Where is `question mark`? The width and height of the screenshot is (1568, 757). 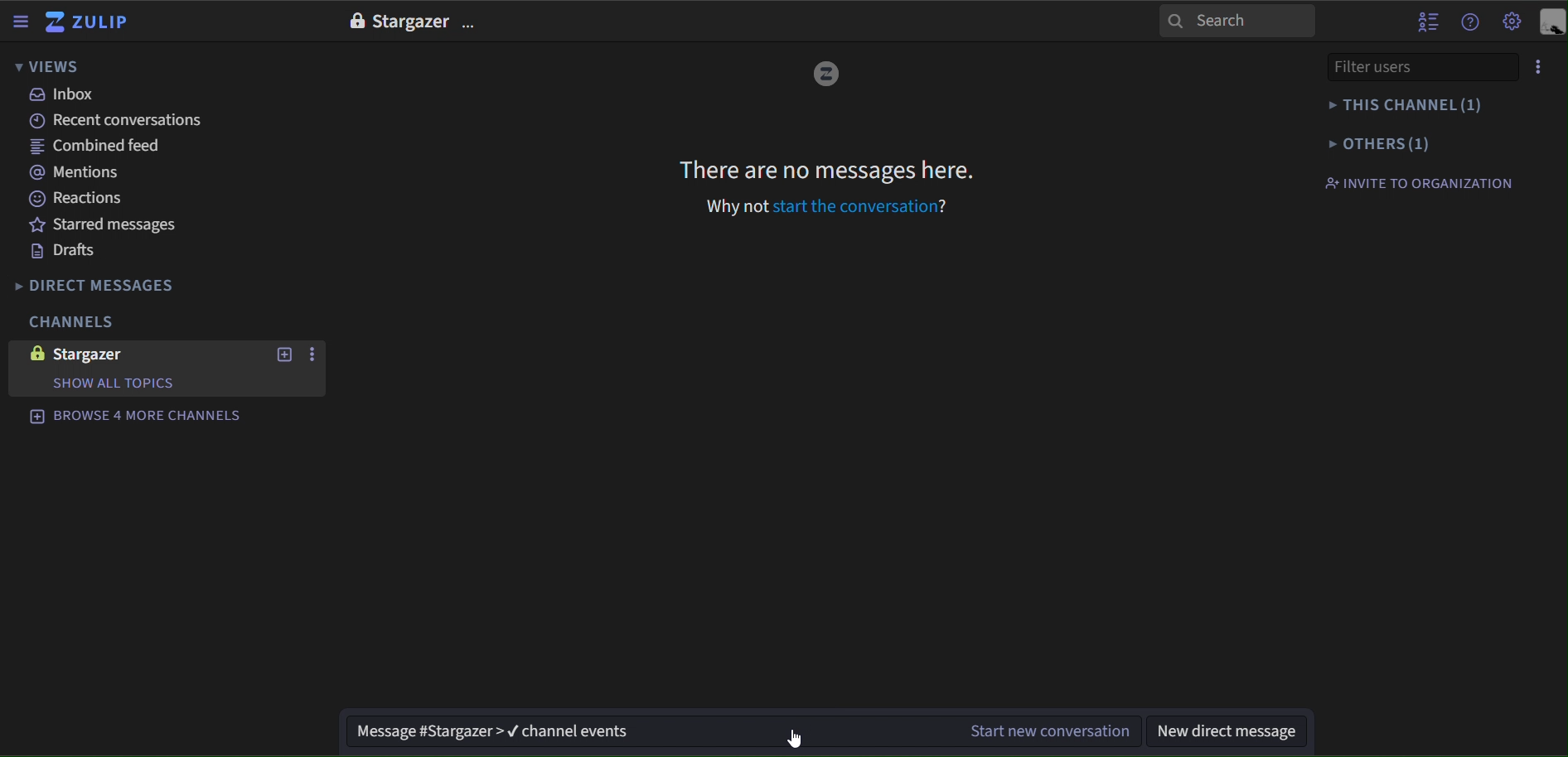
question mark is located at coordinates (948, 205).